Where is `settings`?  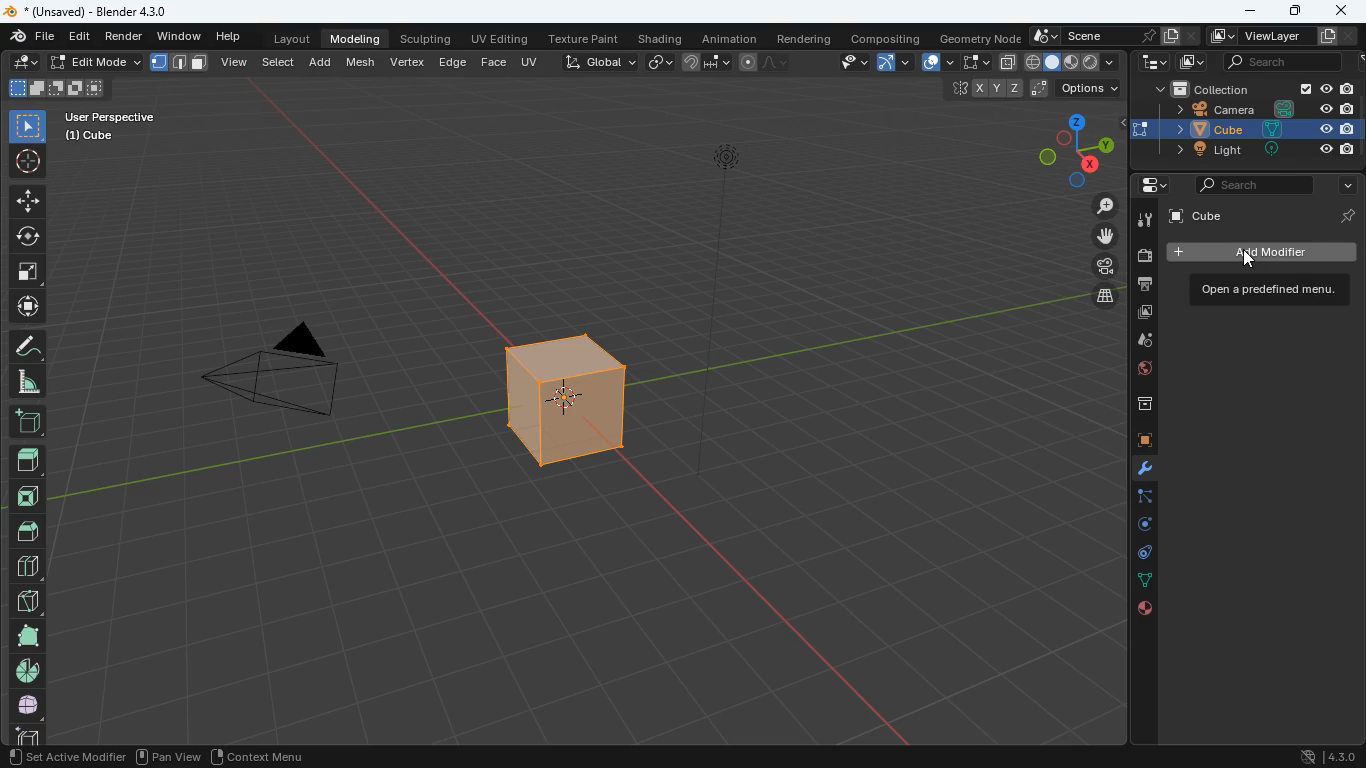
settings is located at coordinates (1147, 184).